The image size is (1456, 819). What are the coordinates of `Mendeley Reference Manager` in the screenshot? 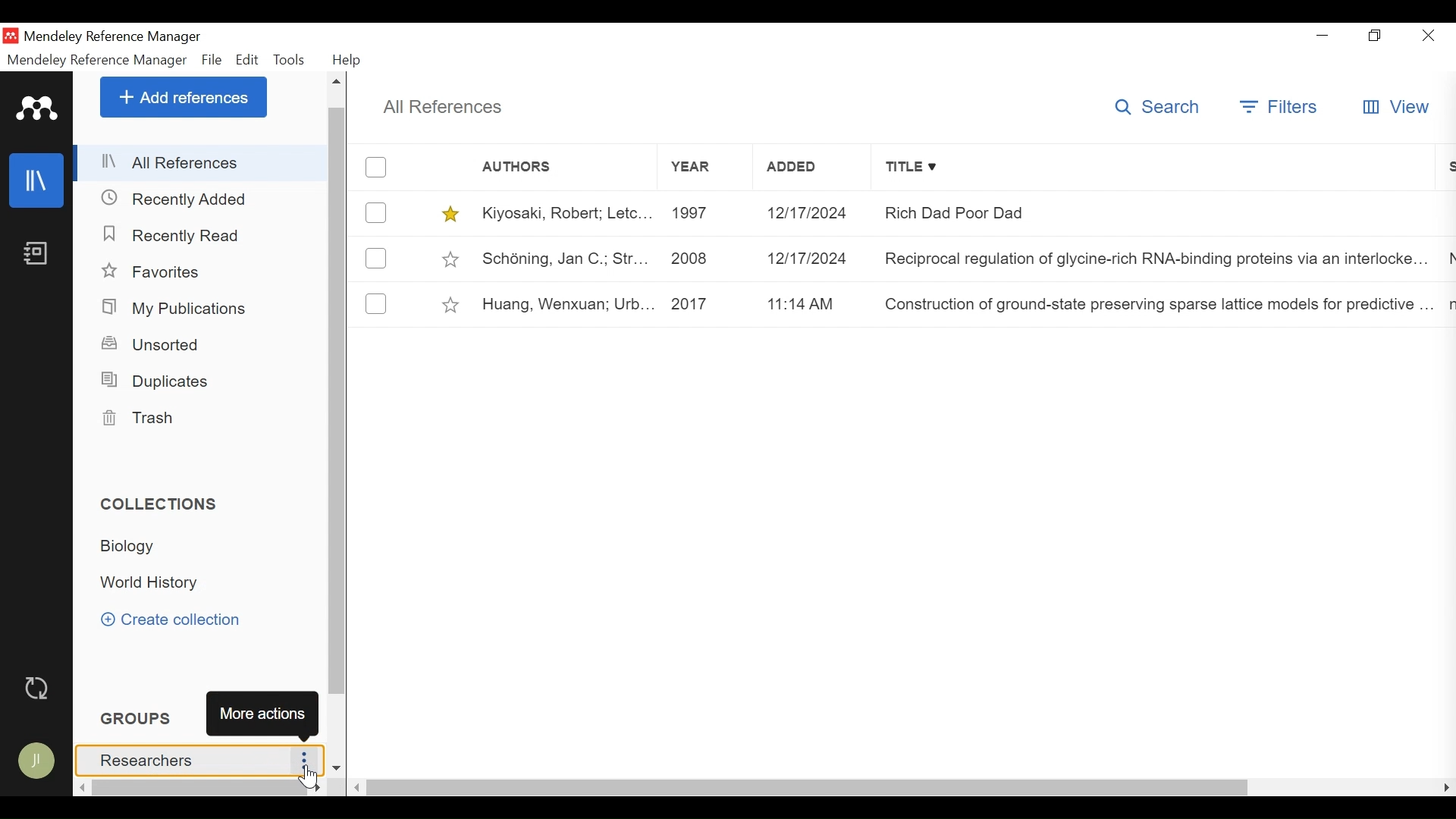 It's located at (112, 36).